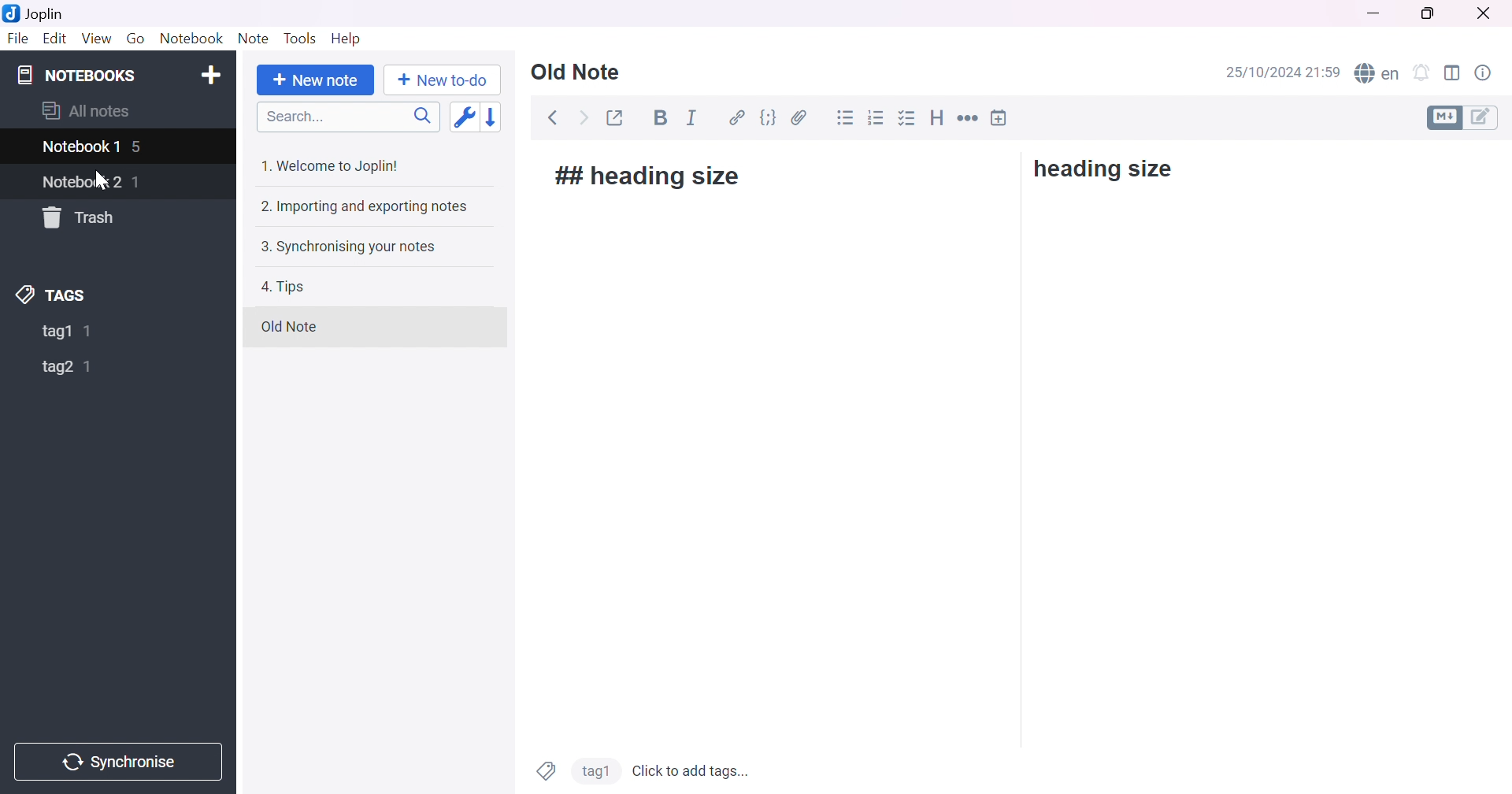 Image resolution: width=1512 pixels, height=794 pixels. I want to click on Help, so click(346, 40).